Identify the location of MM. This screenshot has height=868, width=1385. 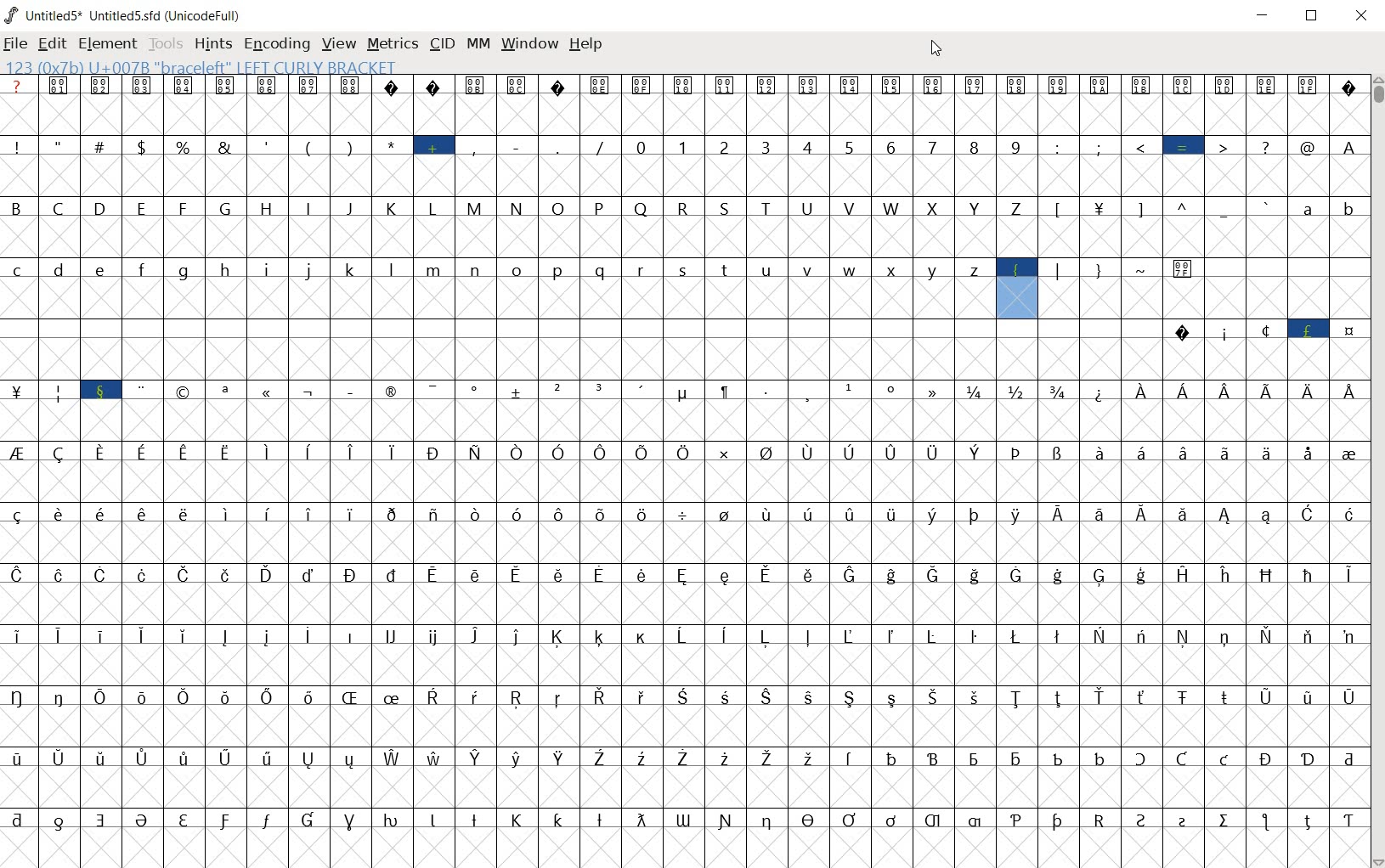
(478, 45).